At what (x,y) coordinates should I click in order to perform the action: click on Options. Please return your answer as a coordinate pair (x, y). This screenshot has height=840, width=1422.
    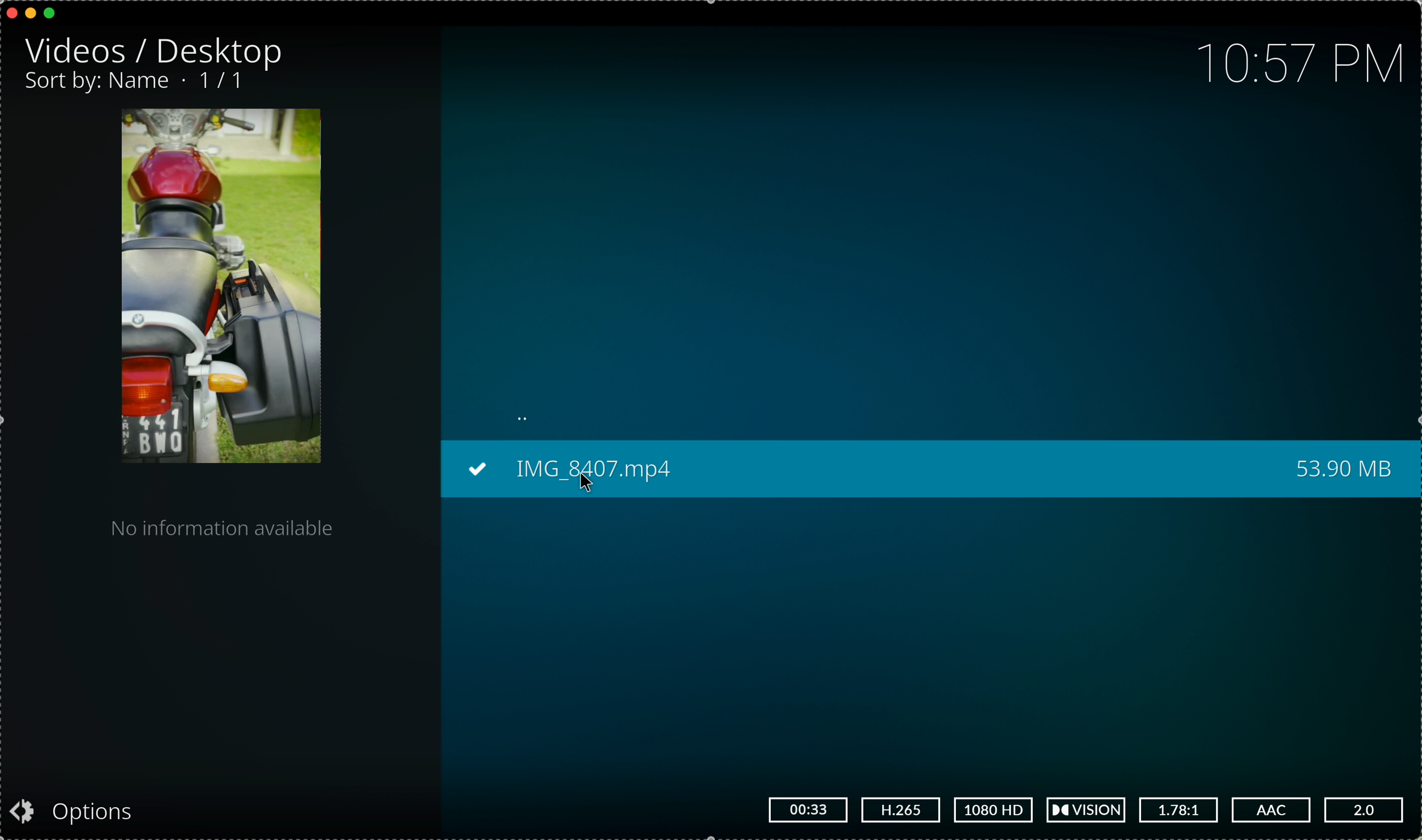
    Looking at the image, I should click on (86, 807).